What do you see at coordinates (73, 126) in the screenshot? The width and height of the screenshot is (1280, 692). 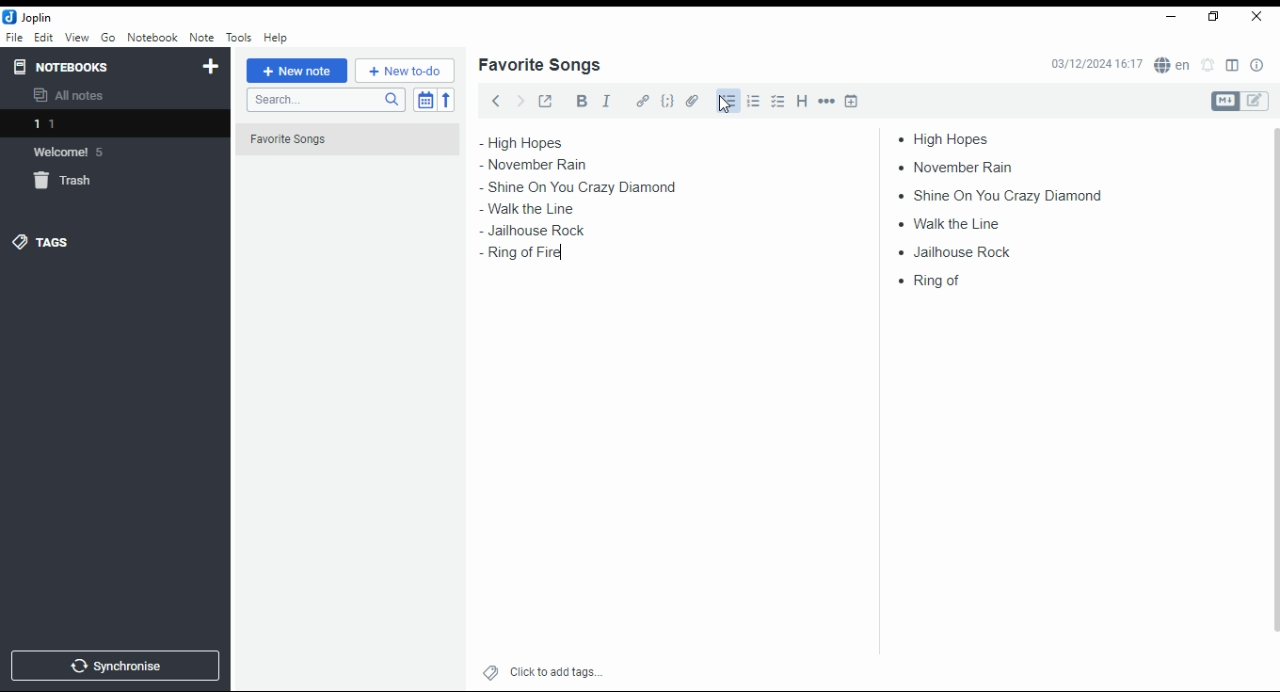 I see `notebook 1` at bounding box center [73, 126].